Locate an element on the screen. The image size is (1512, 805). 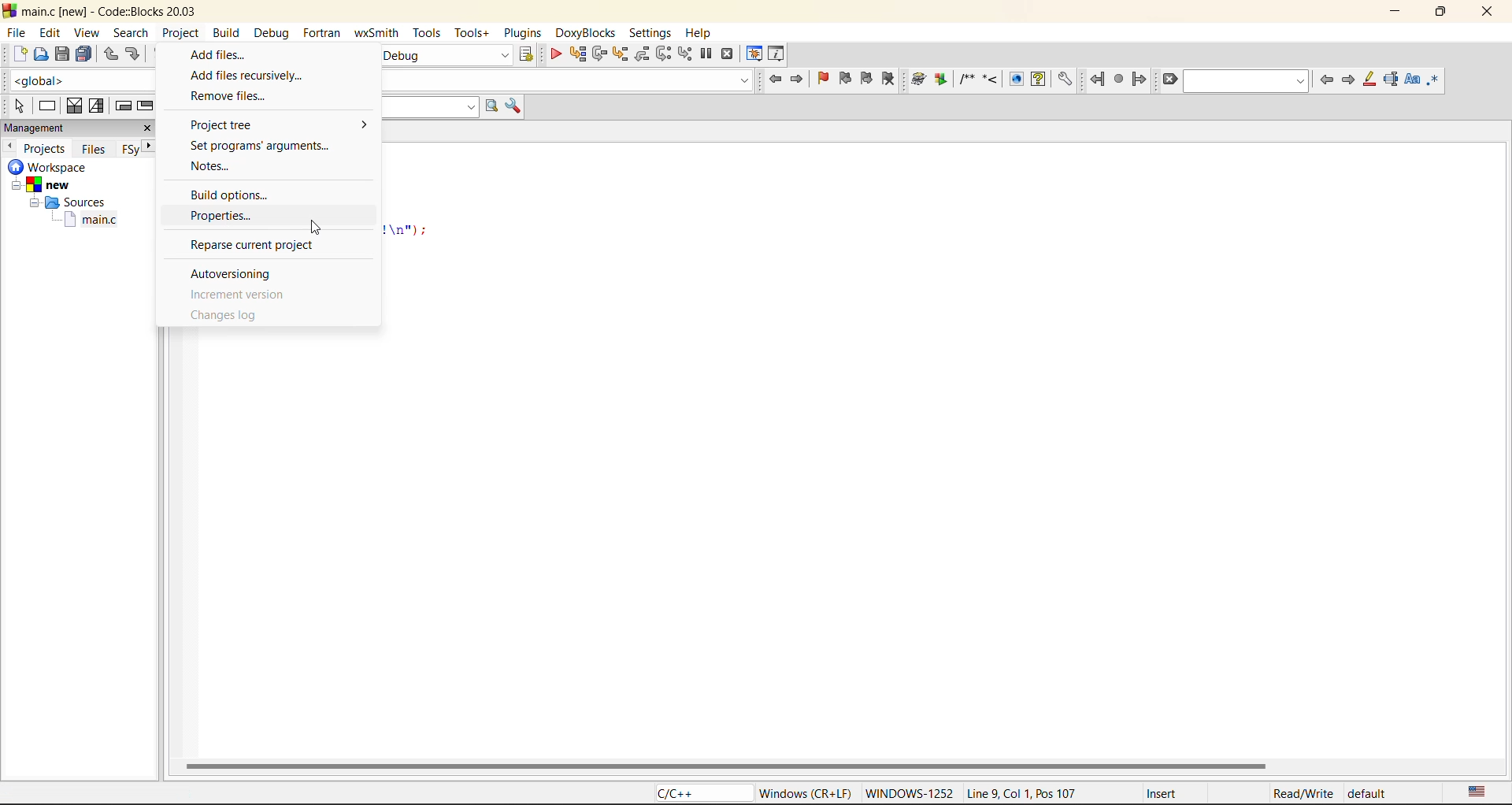
main.c [new] - Code::Blocks 20.03 is located at coordinates (113, 10).